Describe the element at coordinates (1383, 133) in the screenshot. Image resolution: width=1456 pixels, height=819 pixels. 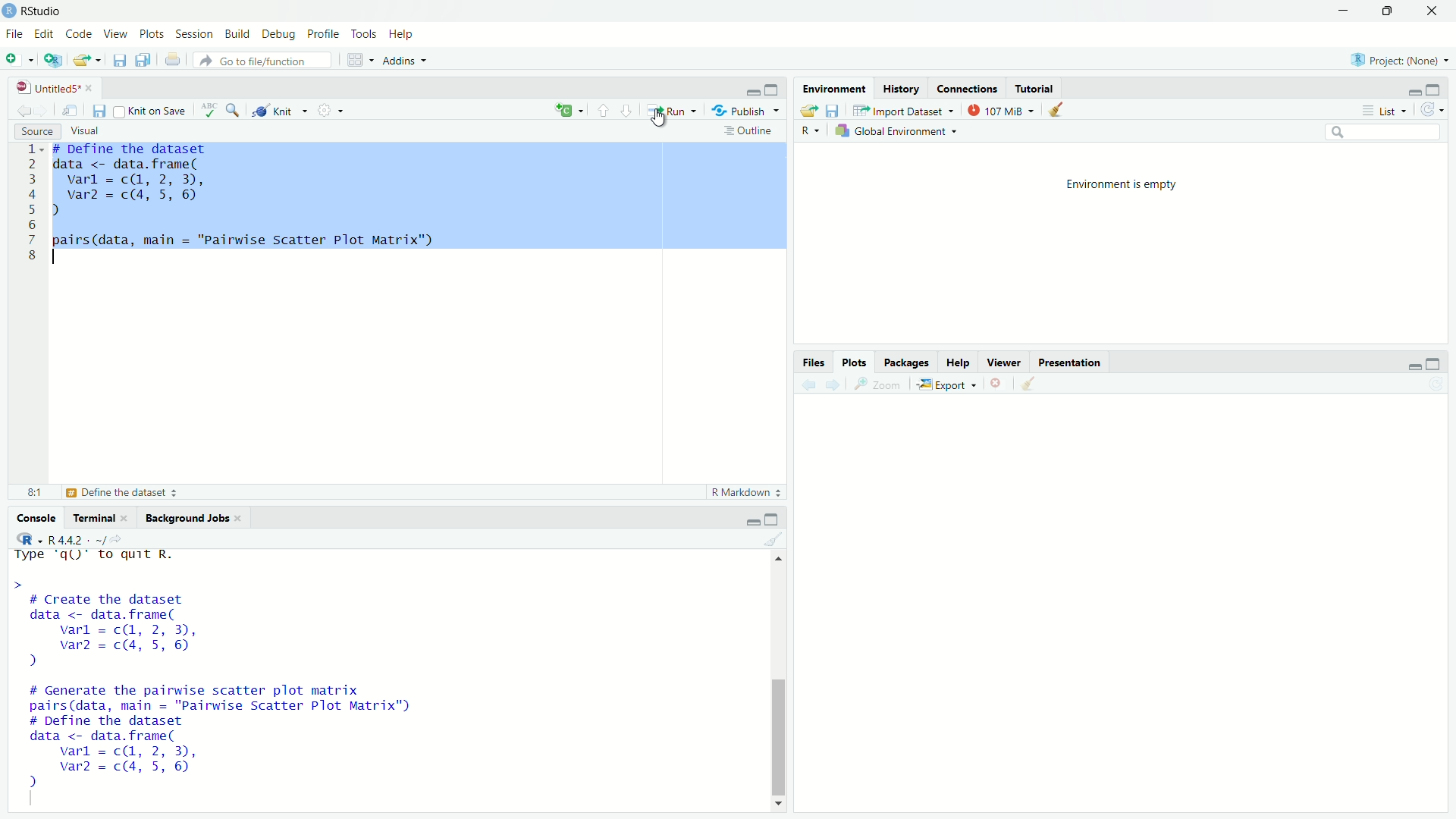
I see `Search bar` at that location.